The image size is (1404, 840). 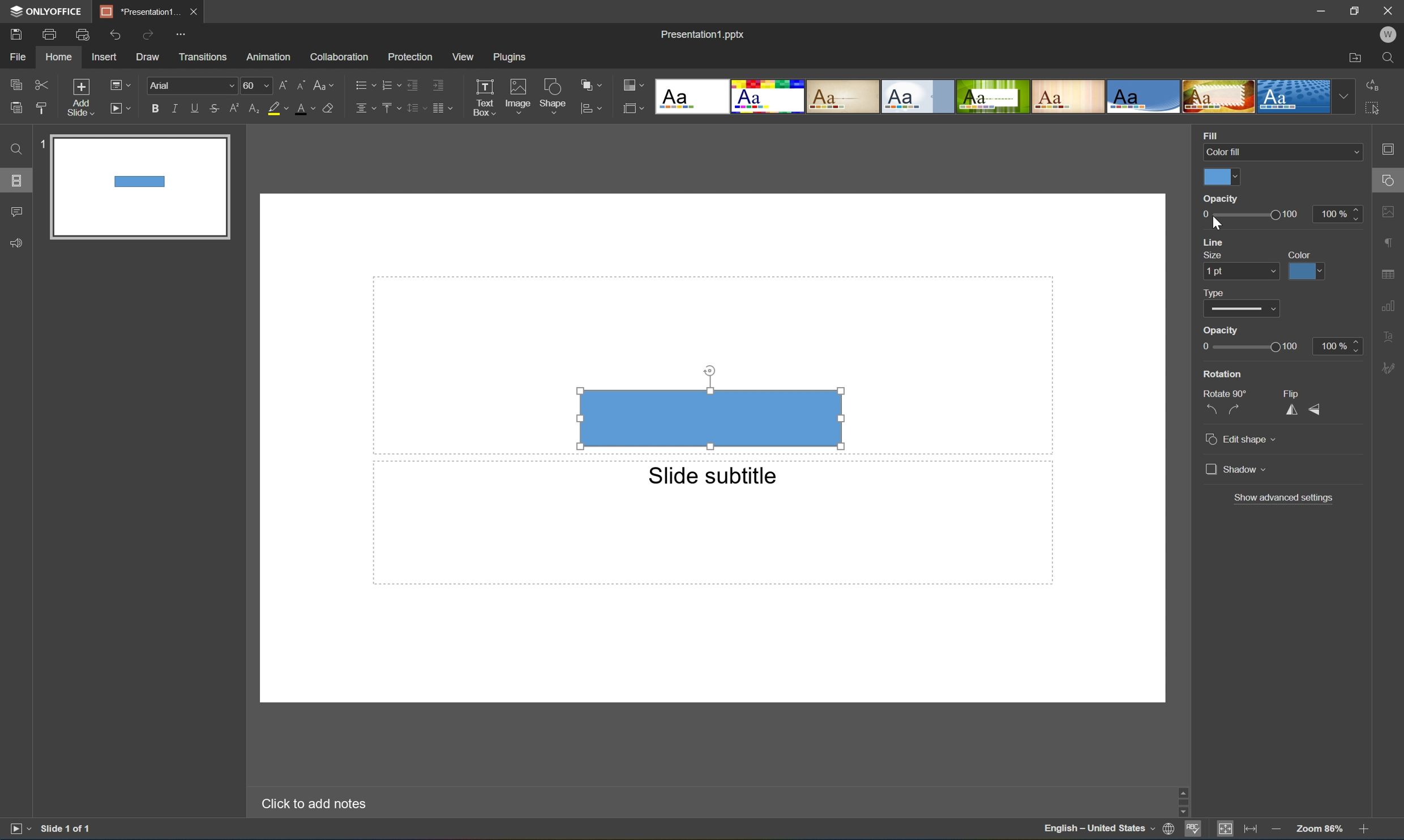 What do you see at coordinates (307, 110) in the screenshot?
I see `Font color` at bounding box center [307, 110].